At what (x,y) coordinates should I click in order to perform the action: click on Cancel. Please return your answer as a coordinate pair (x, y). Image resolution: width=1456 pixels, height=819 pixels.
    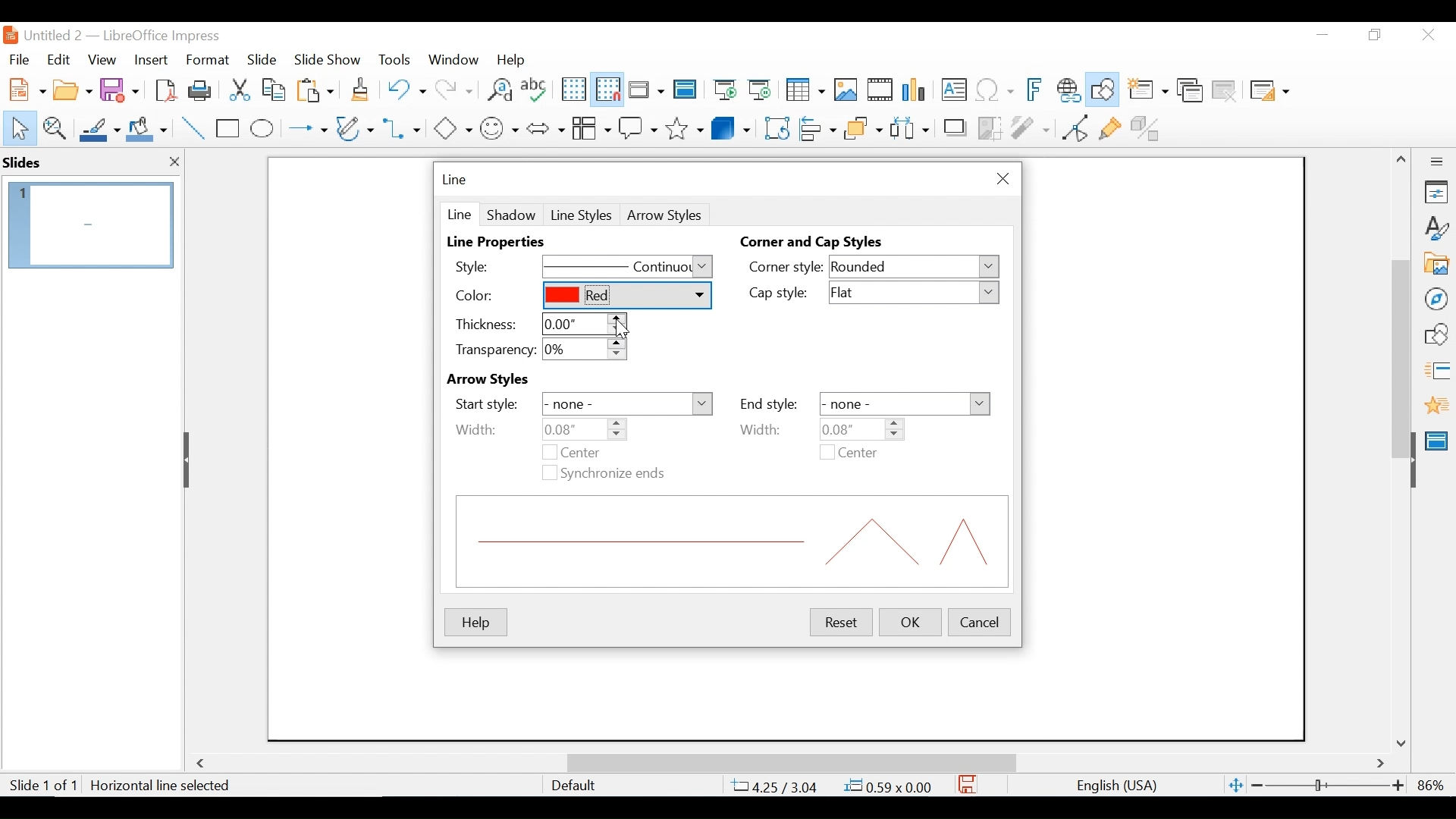
    Looking at the image, I should click on (980, 620).